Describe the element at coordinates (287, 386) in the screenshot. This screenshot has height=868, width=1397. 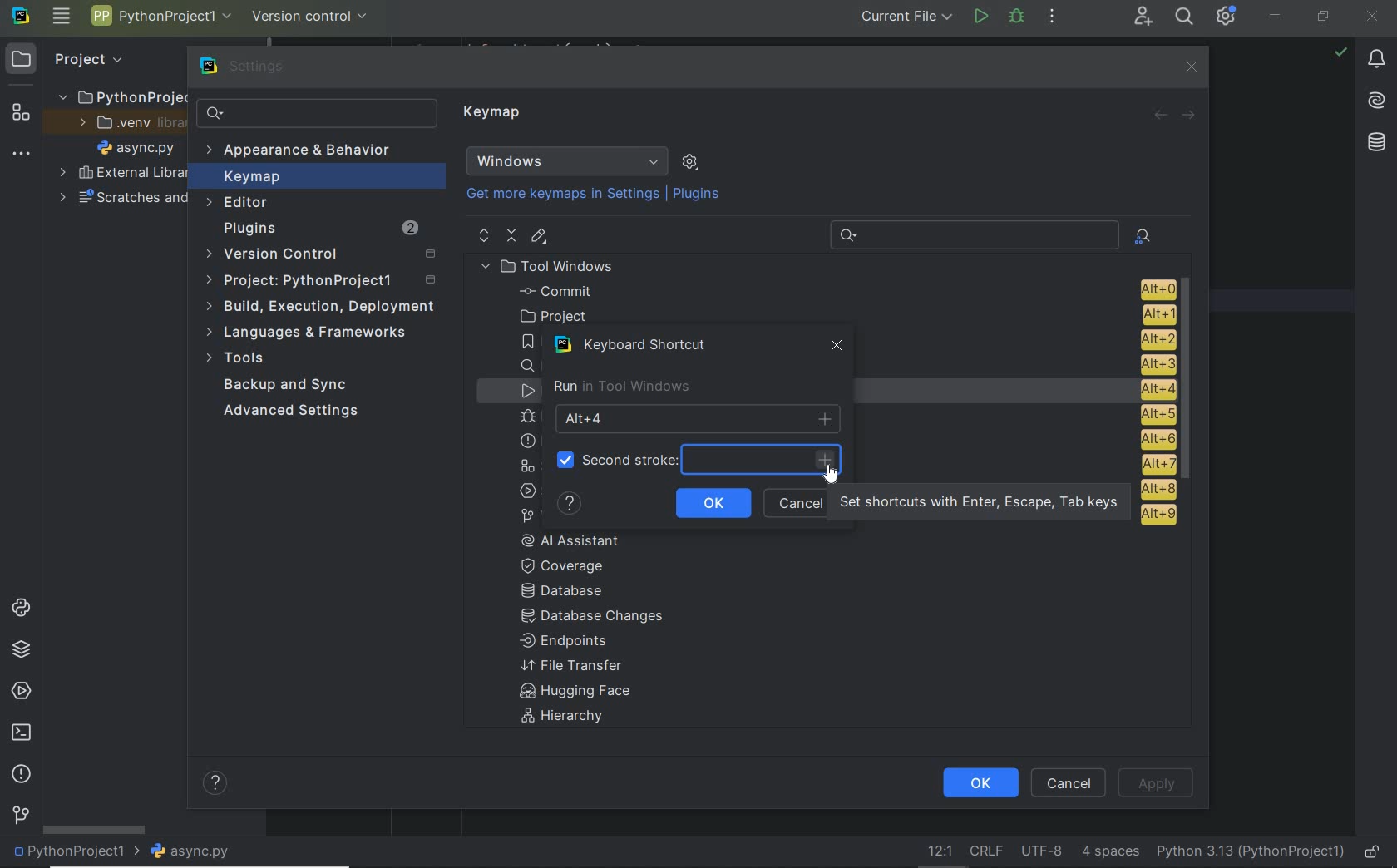
I see `Backup and Sync` at that location.